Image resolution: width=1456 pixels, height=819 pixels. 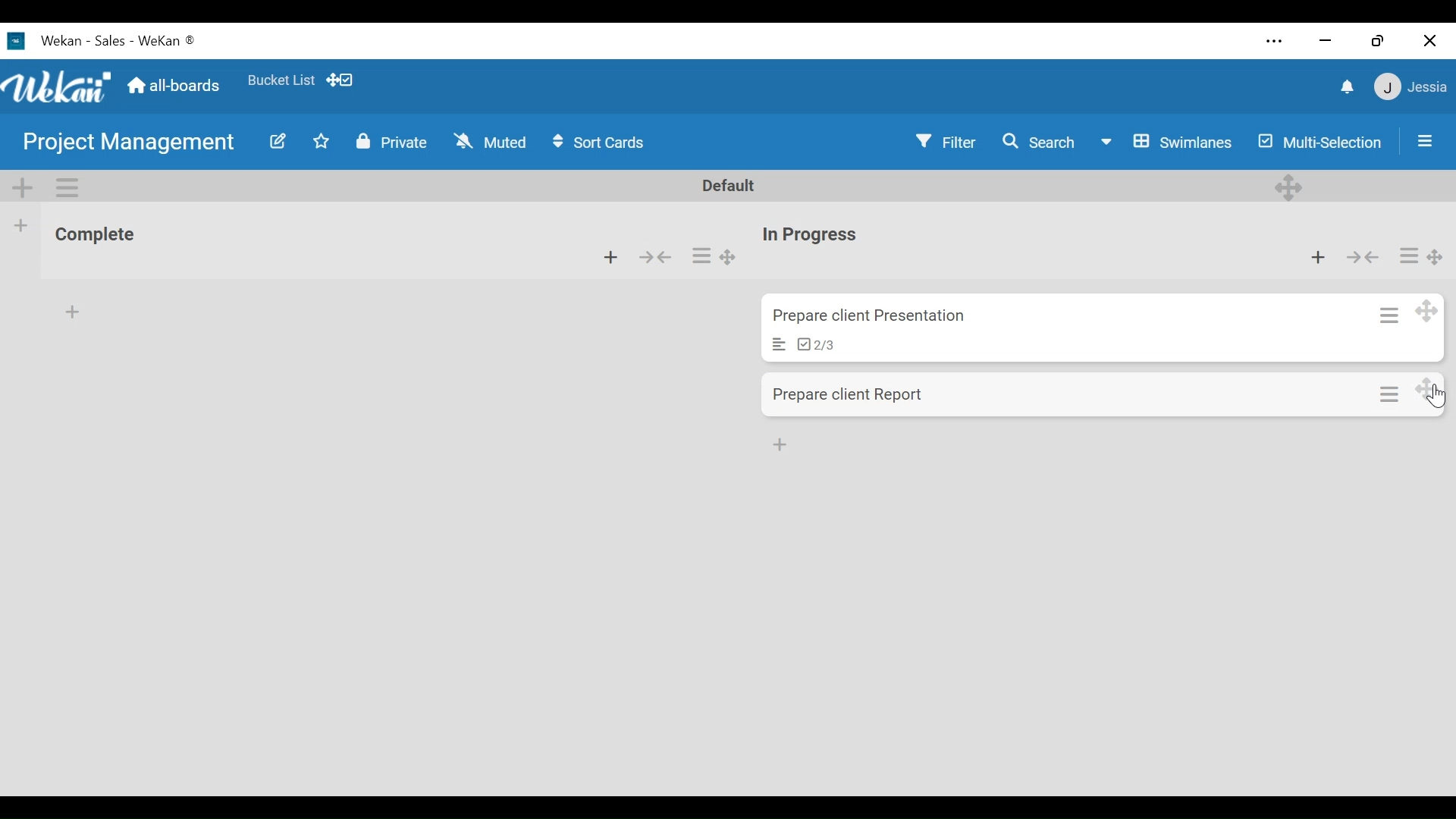 What do you see at coordinates (1426, 312) in the screenshot?
I see `Desktop drag handles` at bounding box center [1426, 312].